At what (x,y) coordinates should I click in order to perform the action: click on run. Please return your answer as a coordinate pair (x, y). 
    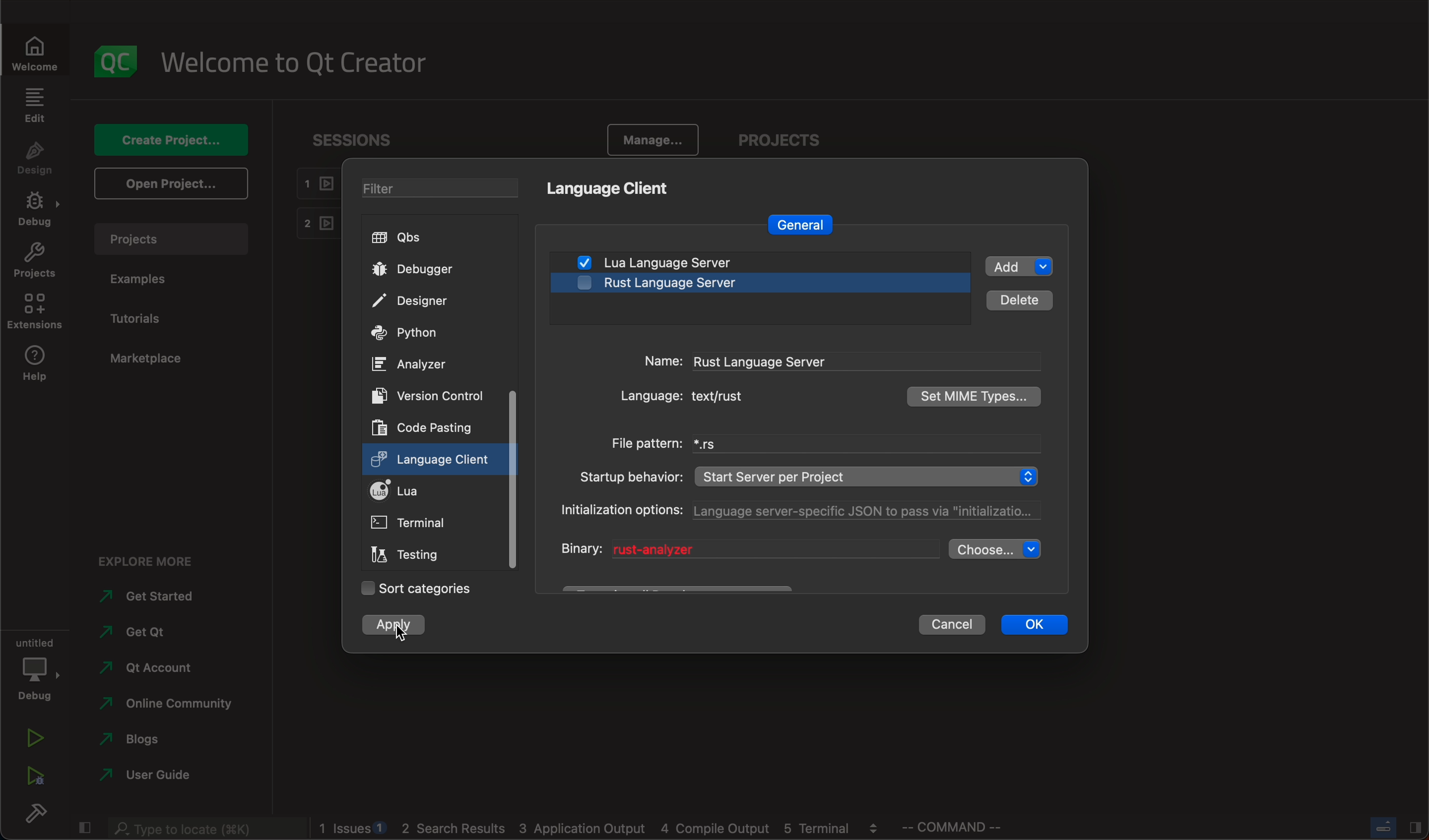
    Looking at the image, I should click on (36, 737).